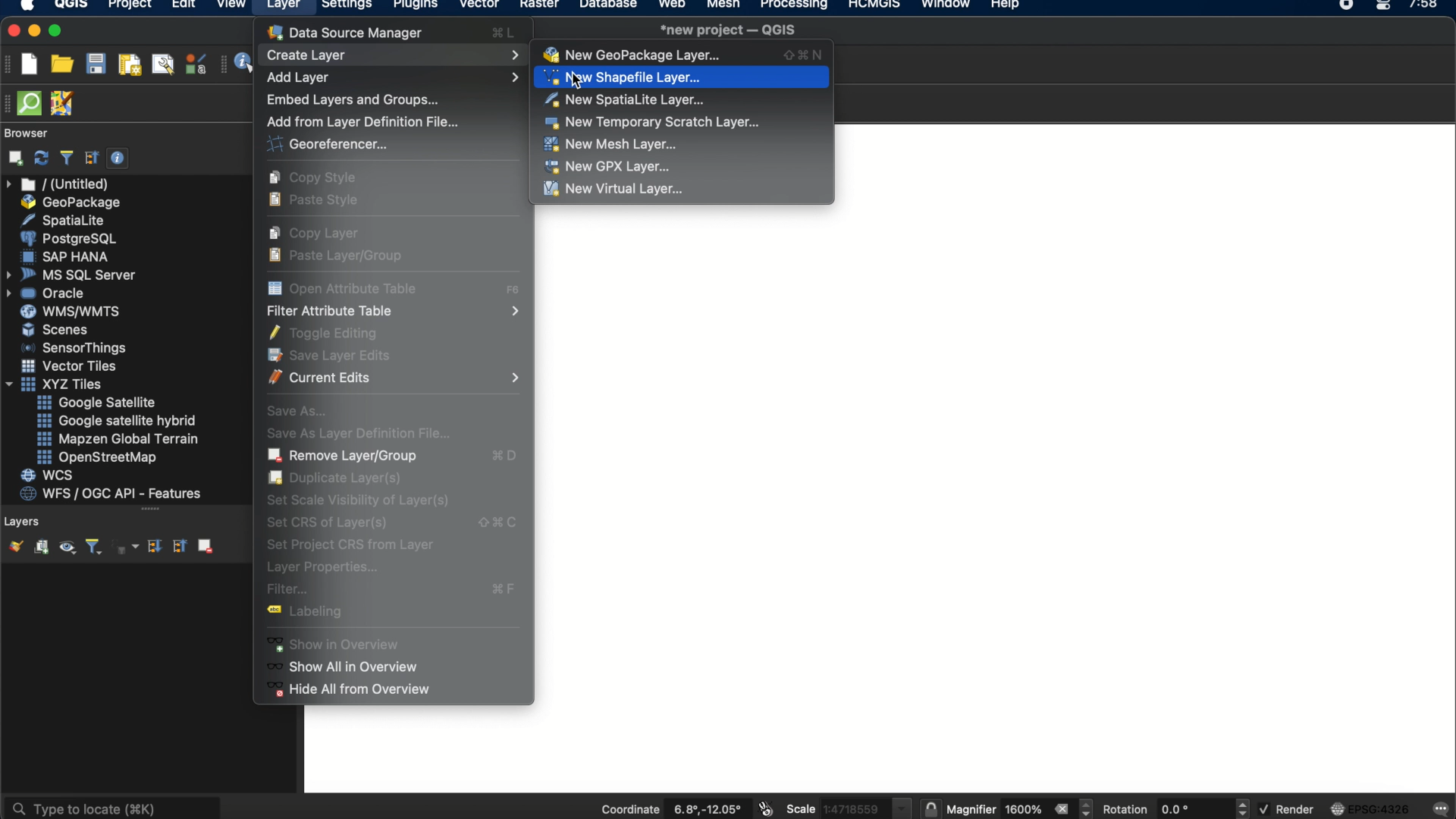 Image resolution: width=1456 pixels, height=819 pixels. What do you see at coordinates (127, 547) in the screenshot?
I see `filter legend by expression` at bounding box center [127, 547].